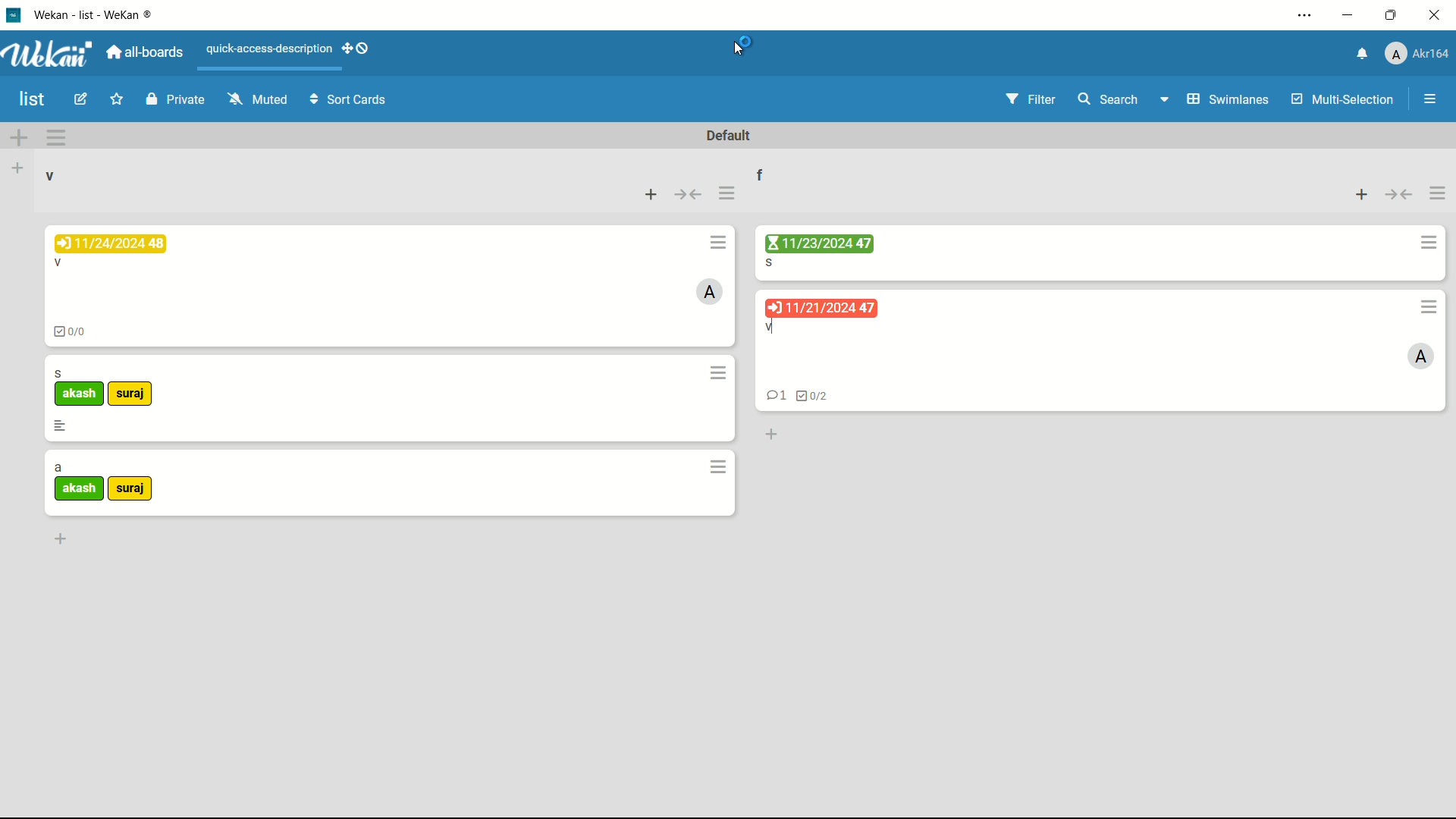 This screenshot has height=819, width=1456. Describe the element at coordinates (1418, 52) in the screenshot. I see `profile` at that location.